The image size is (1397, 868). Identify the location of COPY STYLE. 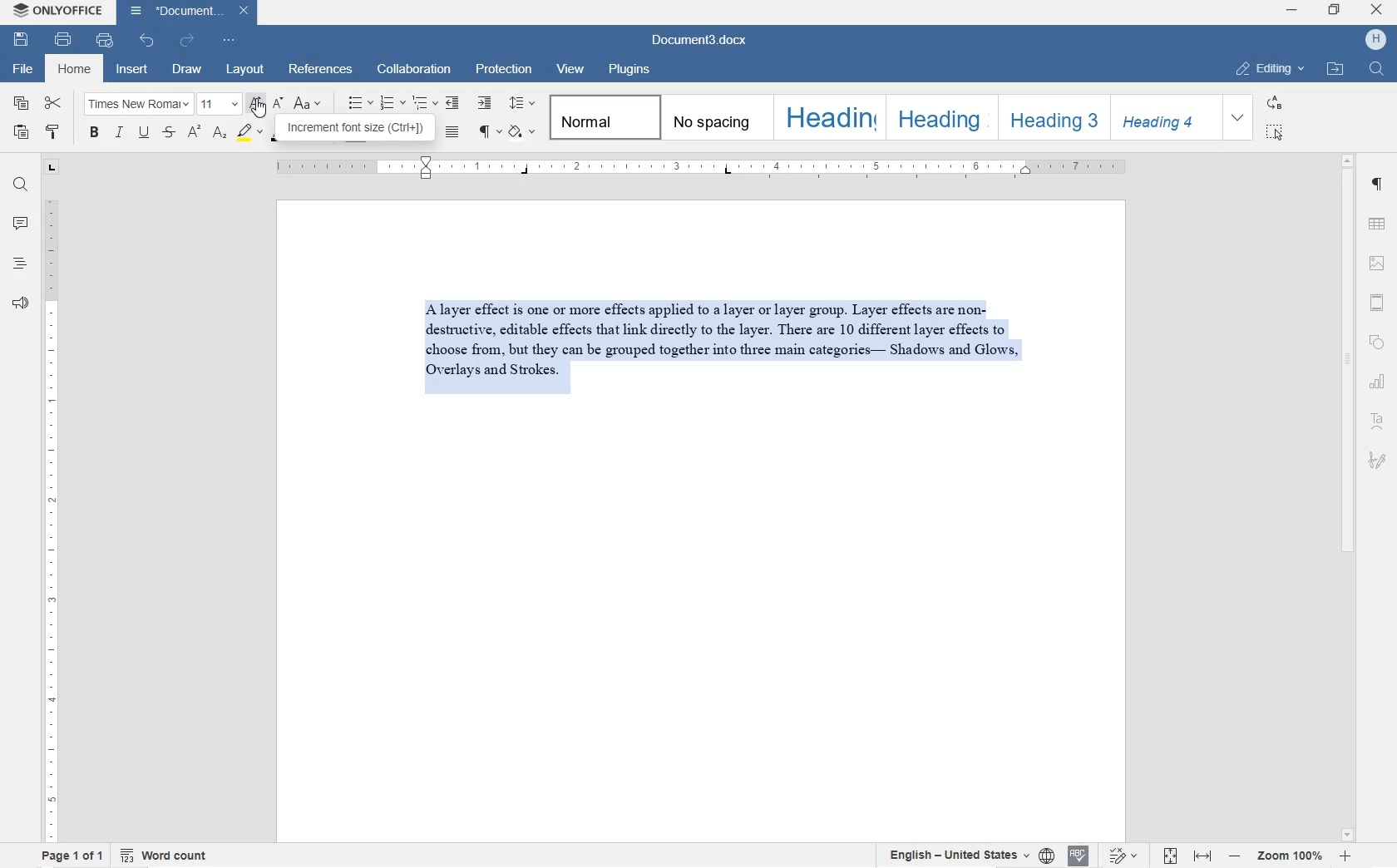
(54, 131).